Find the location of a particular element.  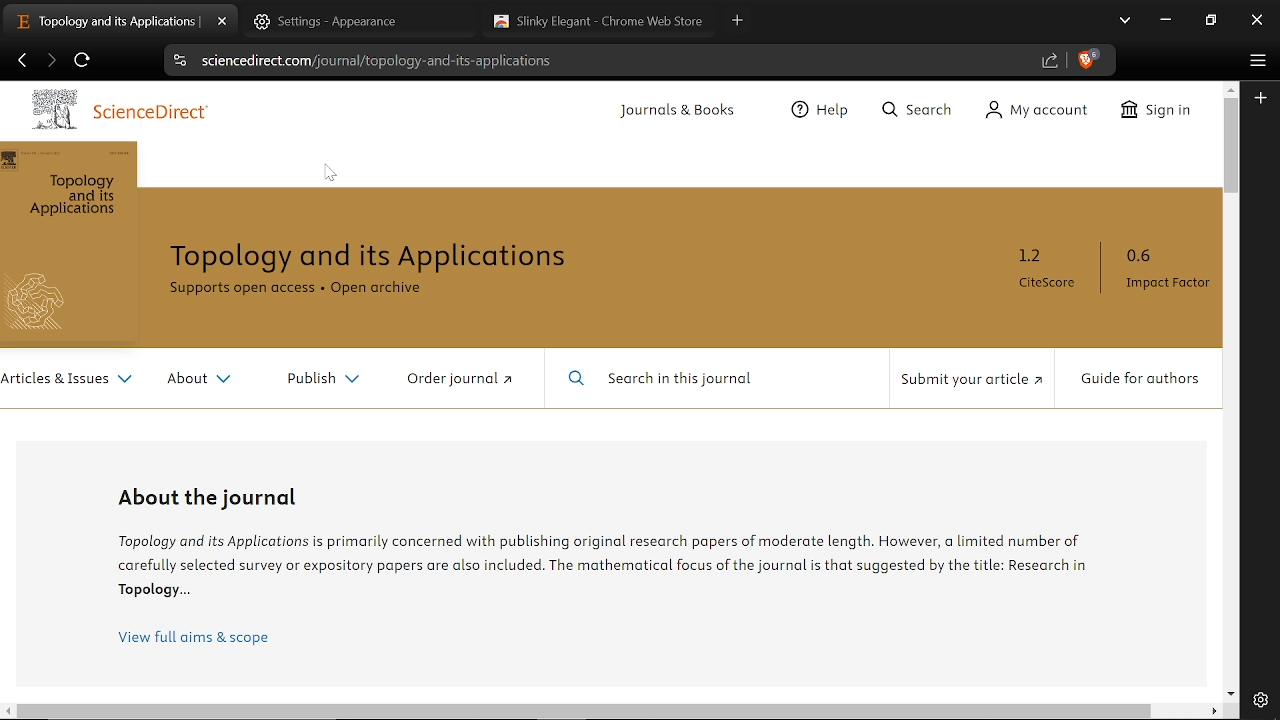

Topology and its Applications is located at coordinates (368, 254).